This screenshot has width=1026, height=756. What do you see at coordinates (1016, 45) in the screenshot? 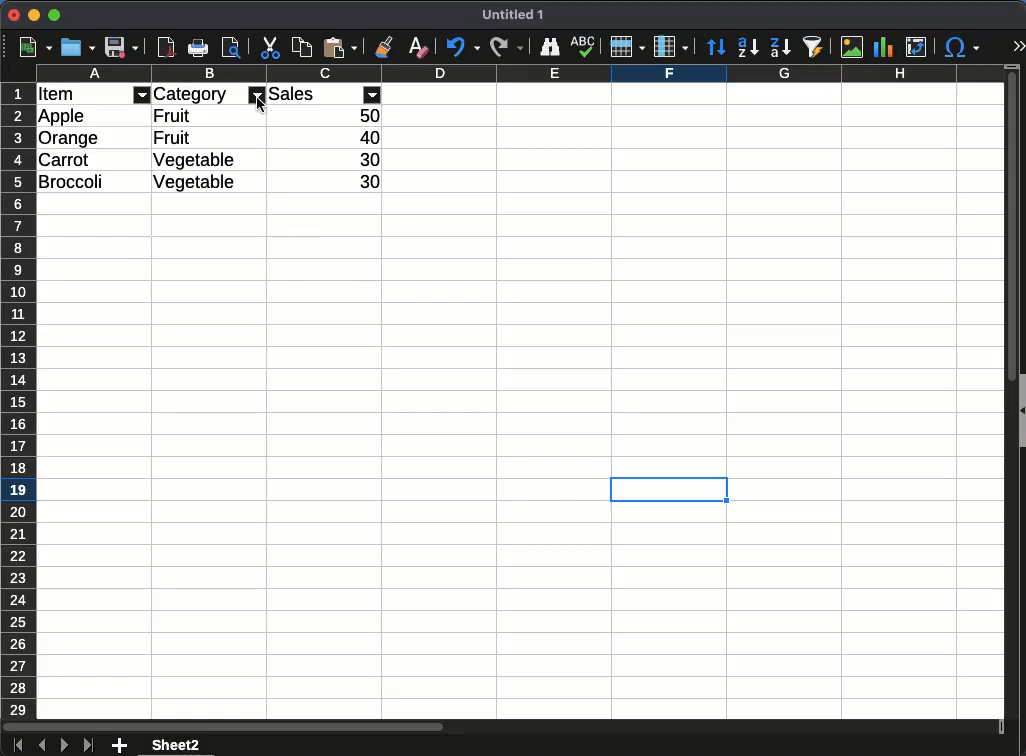
I see `expand` at bounding box center [1016, 45].